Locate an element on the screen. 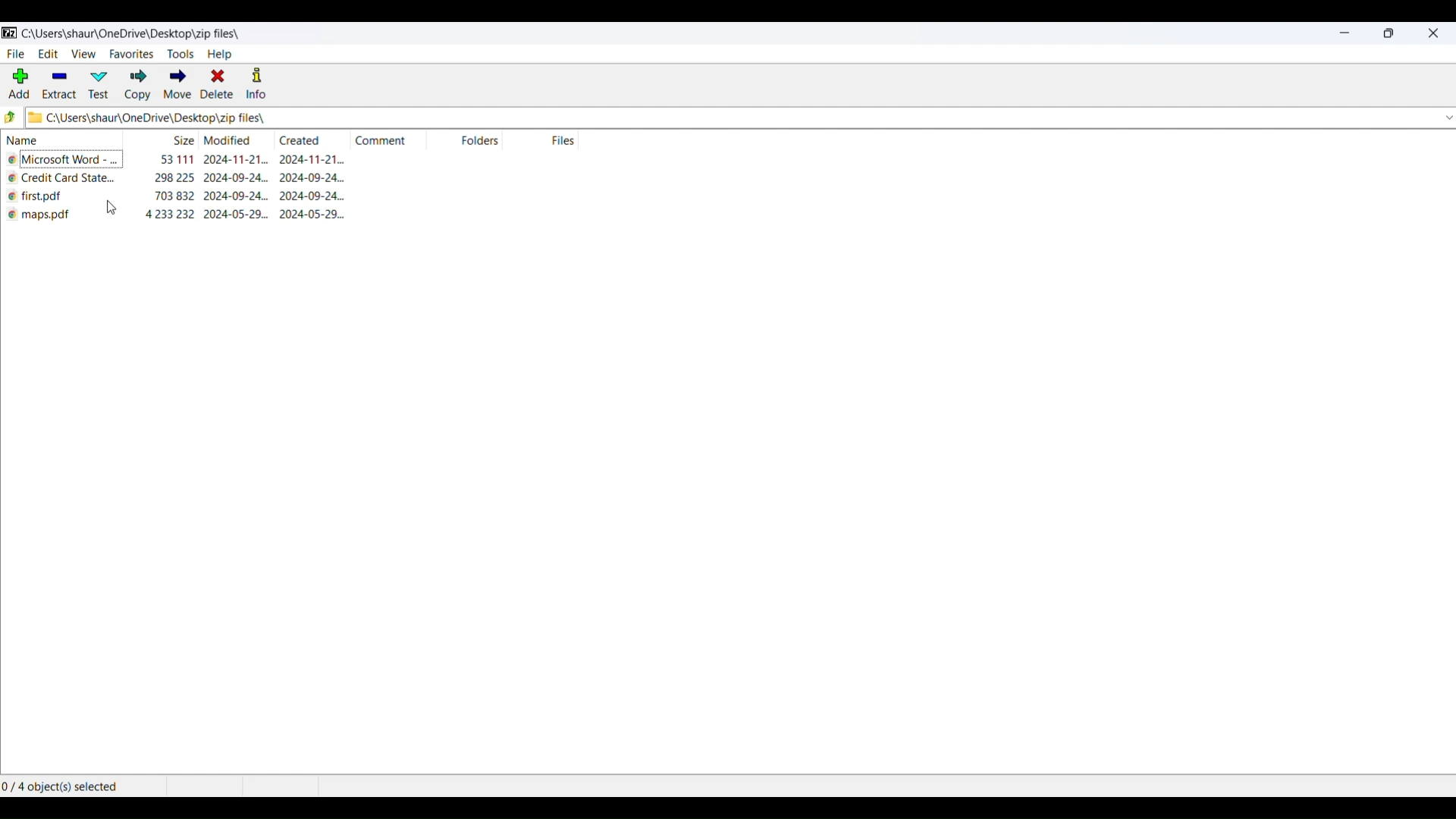 The width and height of the screenshot is (1456, 819). folders is located at coordinates (488, 142).